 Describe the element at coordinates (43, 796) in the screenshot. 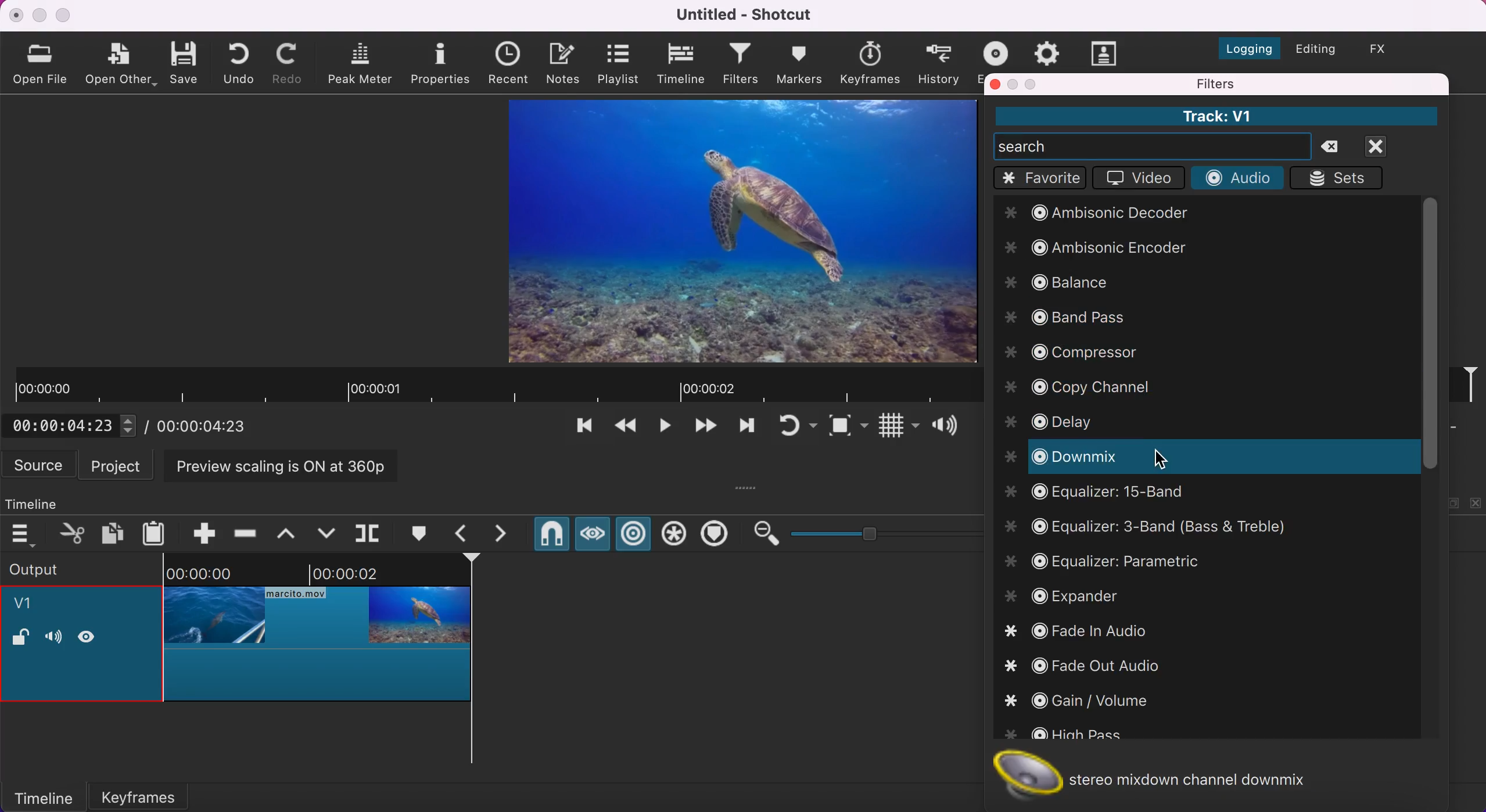

I see `timeline` at that location.